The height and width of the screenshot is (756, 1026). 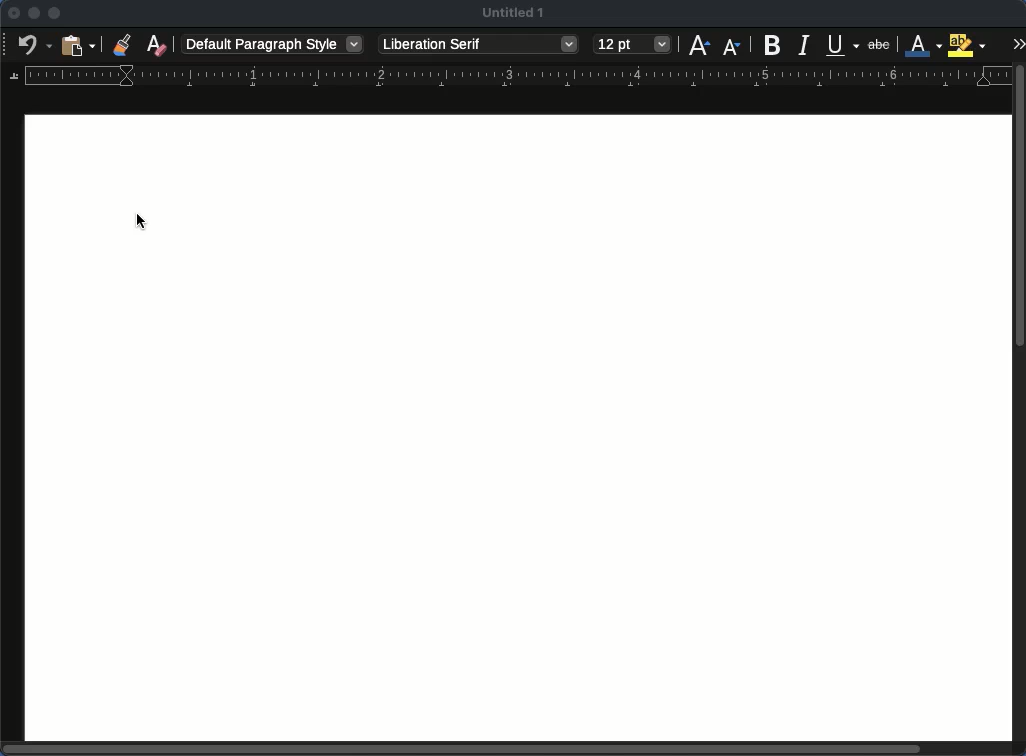 What do you see at coordinates (730, 48) in the screenshot?
I see `decrease size` at bounding box center [730, 48].